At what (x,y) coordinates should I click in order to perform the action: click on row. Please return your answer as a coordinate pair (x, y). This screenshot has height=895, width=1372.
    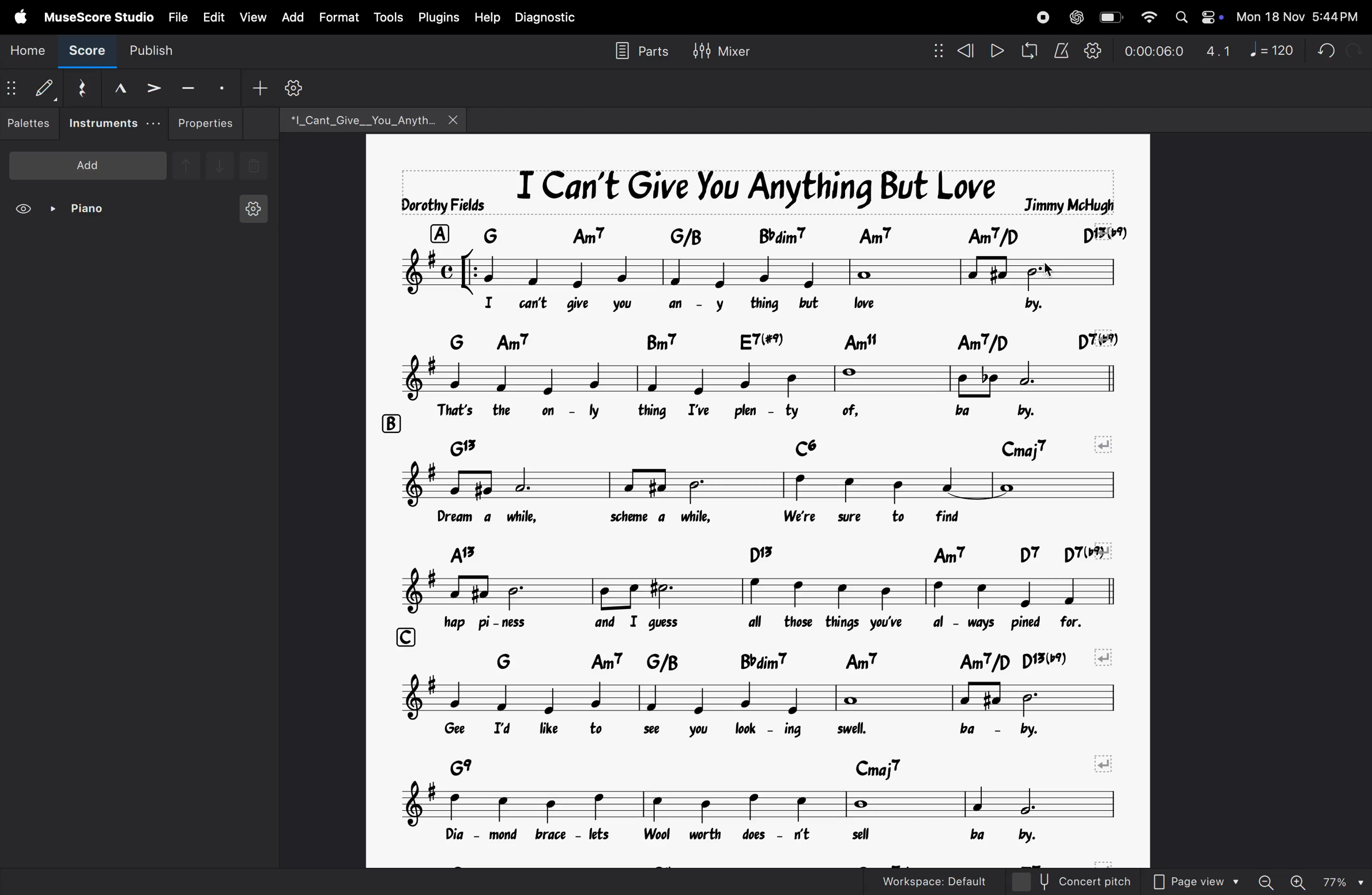
    Looking at the image, I should click on (455, 341).